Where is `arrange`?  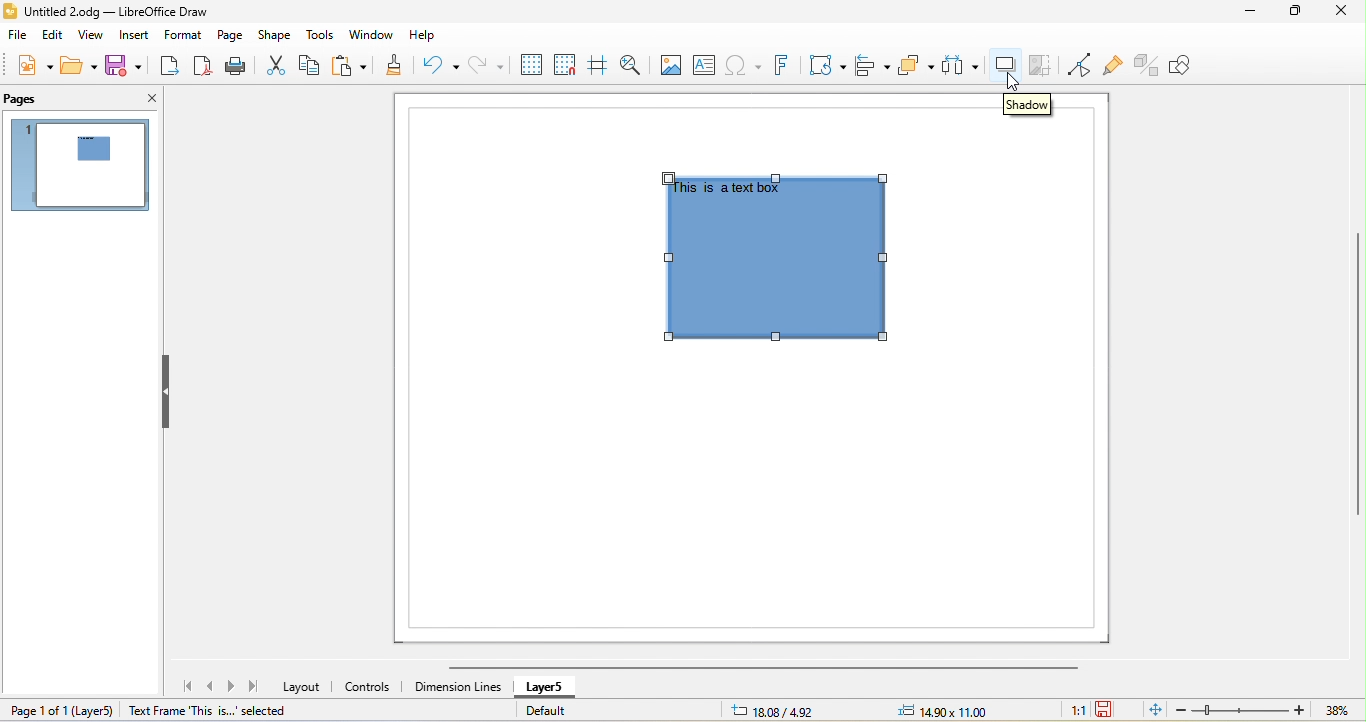
arrange is located at coordinates (914, 65).